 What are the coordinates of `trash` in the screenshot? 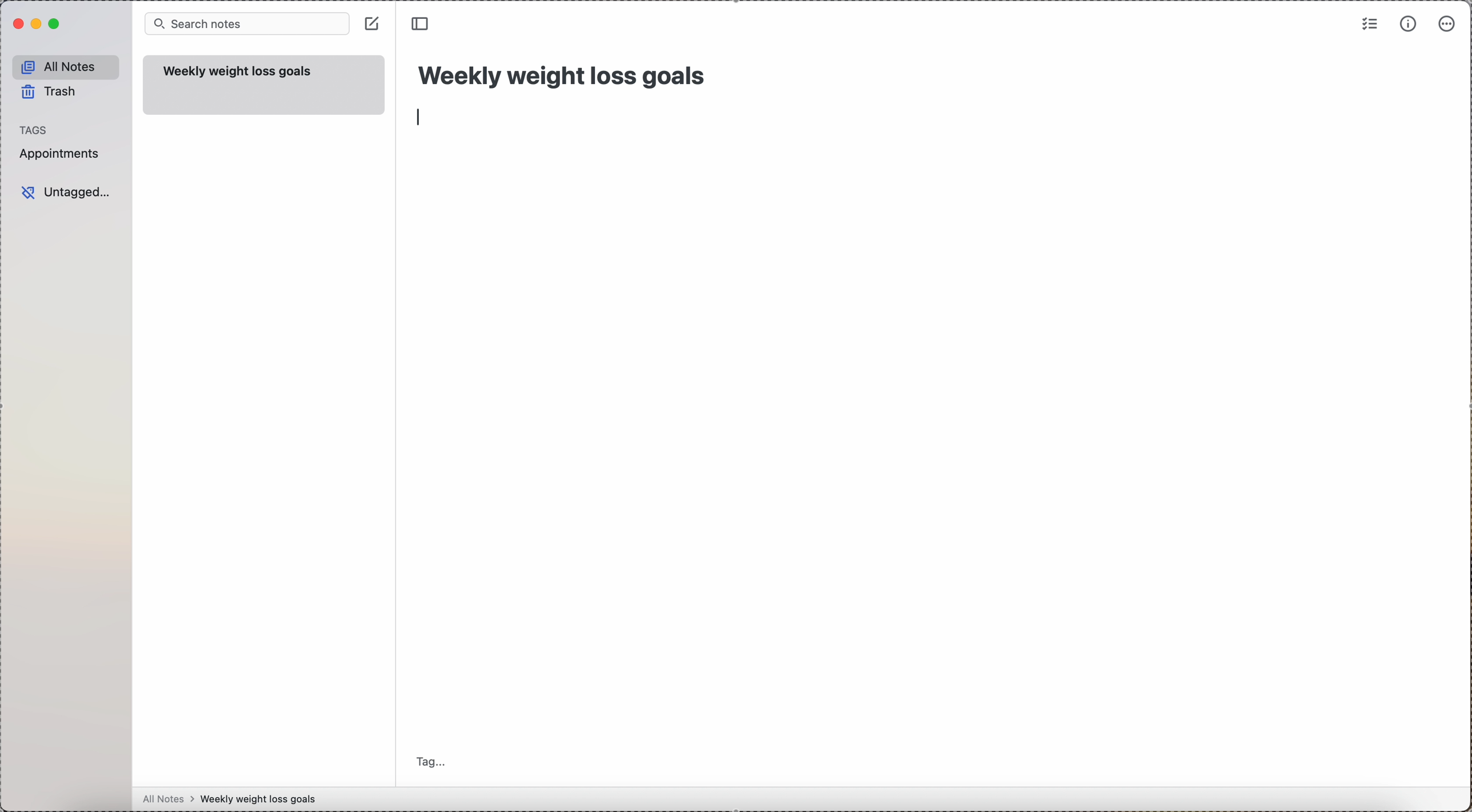 It's located at (49, 91).